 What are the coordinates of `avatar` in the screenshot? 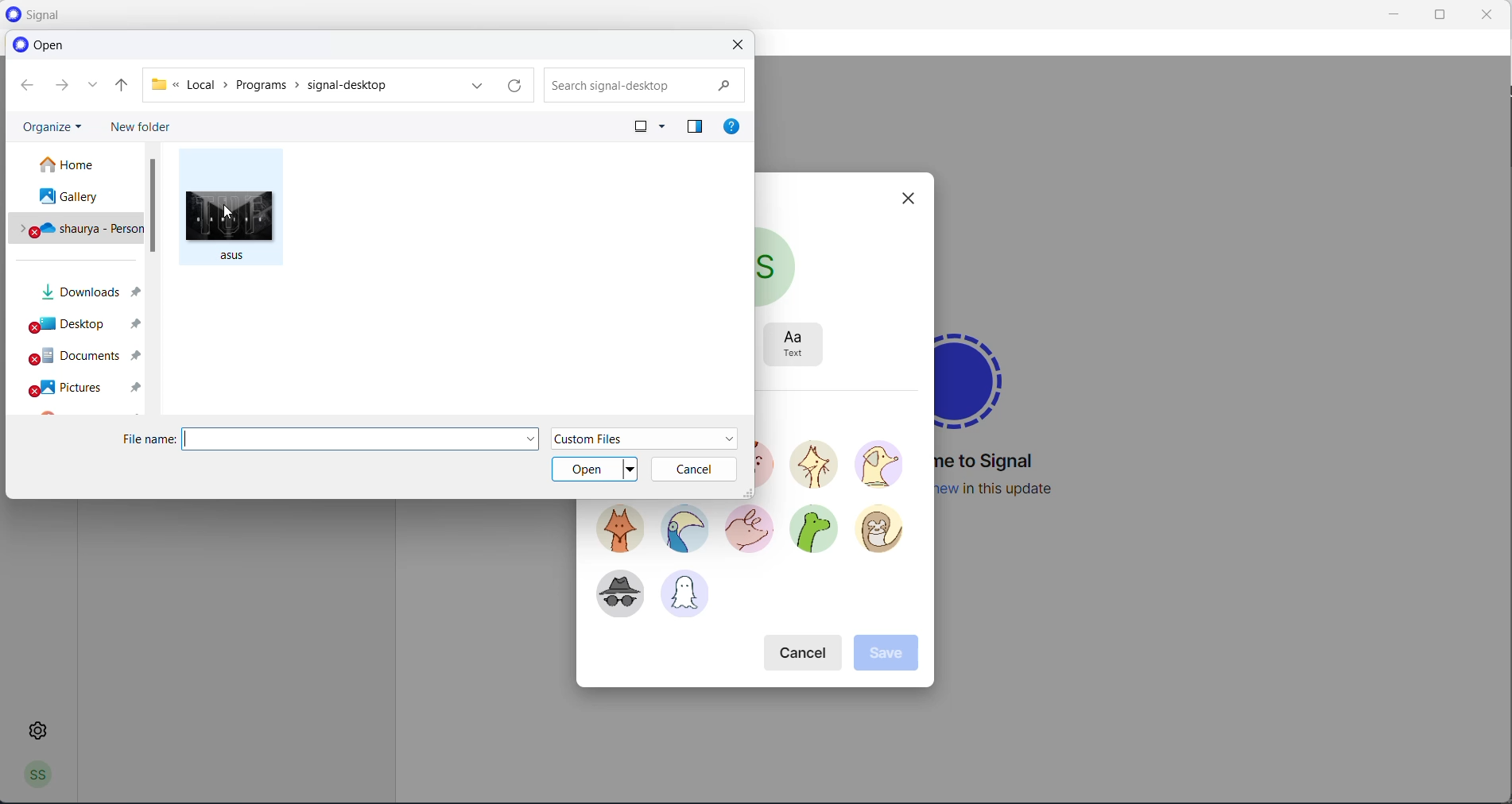 It's located at (886, 464).